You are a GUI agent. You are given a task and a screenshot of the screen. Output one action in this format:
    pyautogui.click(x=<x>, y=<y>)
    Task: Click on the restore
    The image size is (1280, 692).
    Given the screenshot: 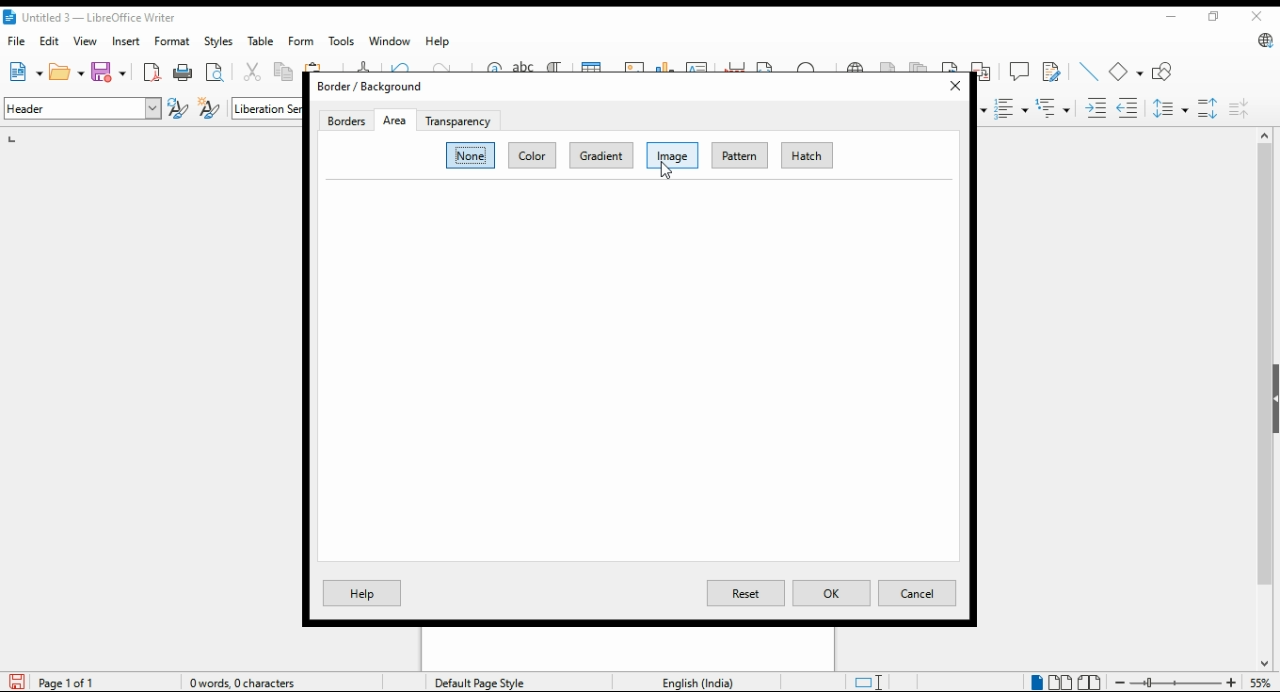 What is the action you would take?
    pyautogui.click(x=1212, y=16)
    